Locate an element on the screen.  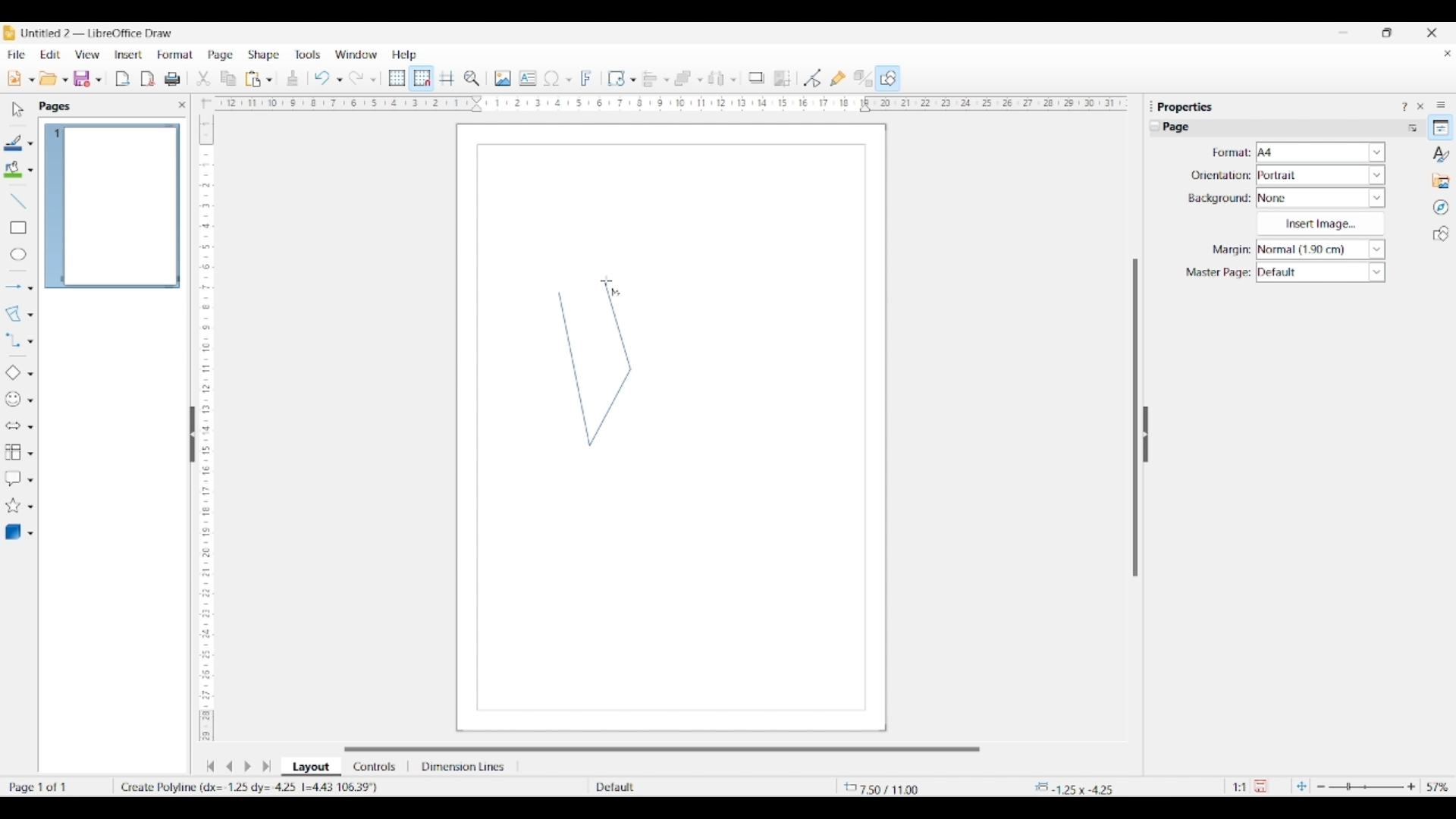
Shadow is located at coordinates (756, 77).